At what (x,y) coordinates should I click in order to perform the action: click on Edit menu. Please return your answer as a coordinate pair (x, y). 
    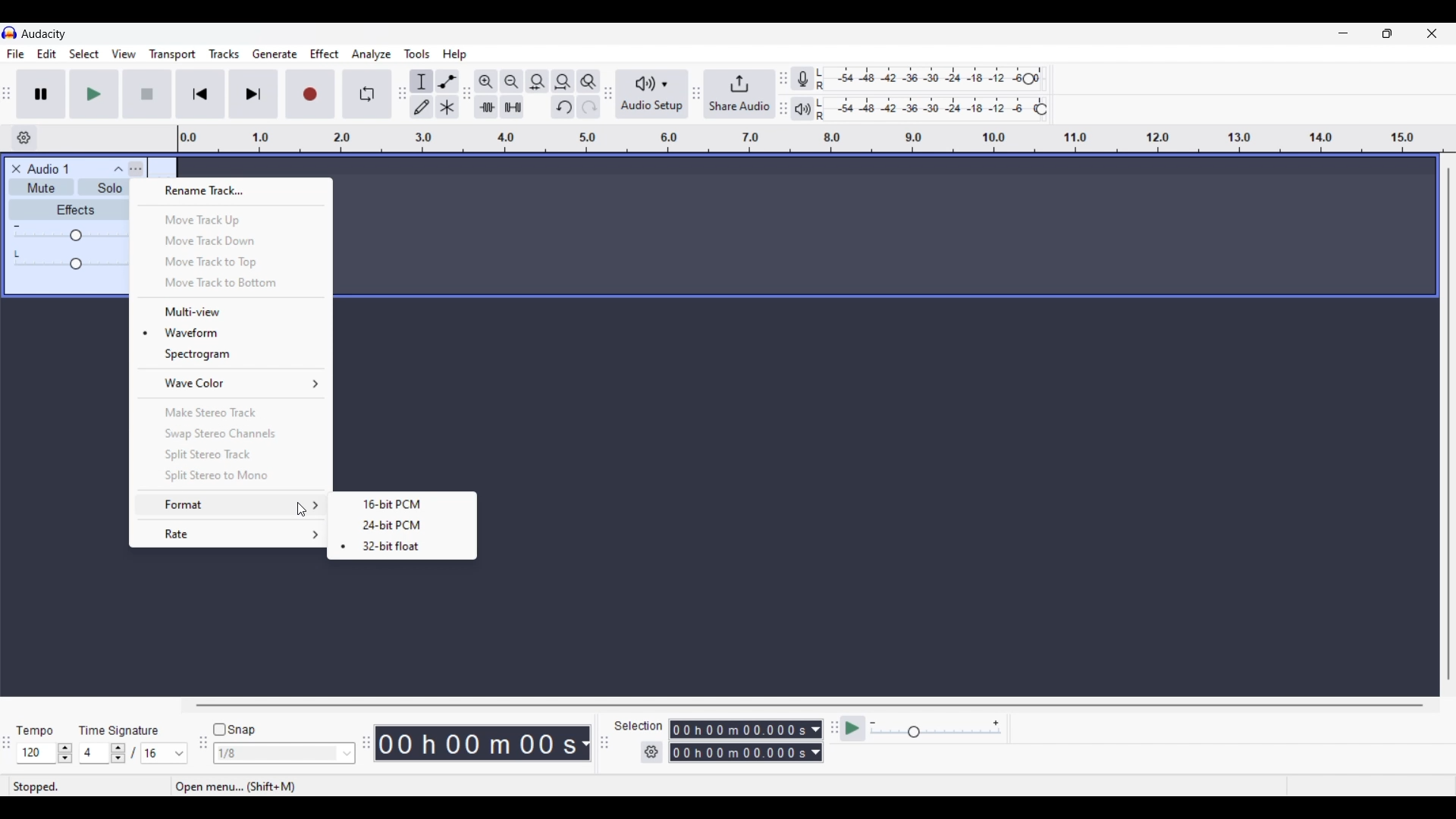
    Looking at the image, I should click on (47, 55).